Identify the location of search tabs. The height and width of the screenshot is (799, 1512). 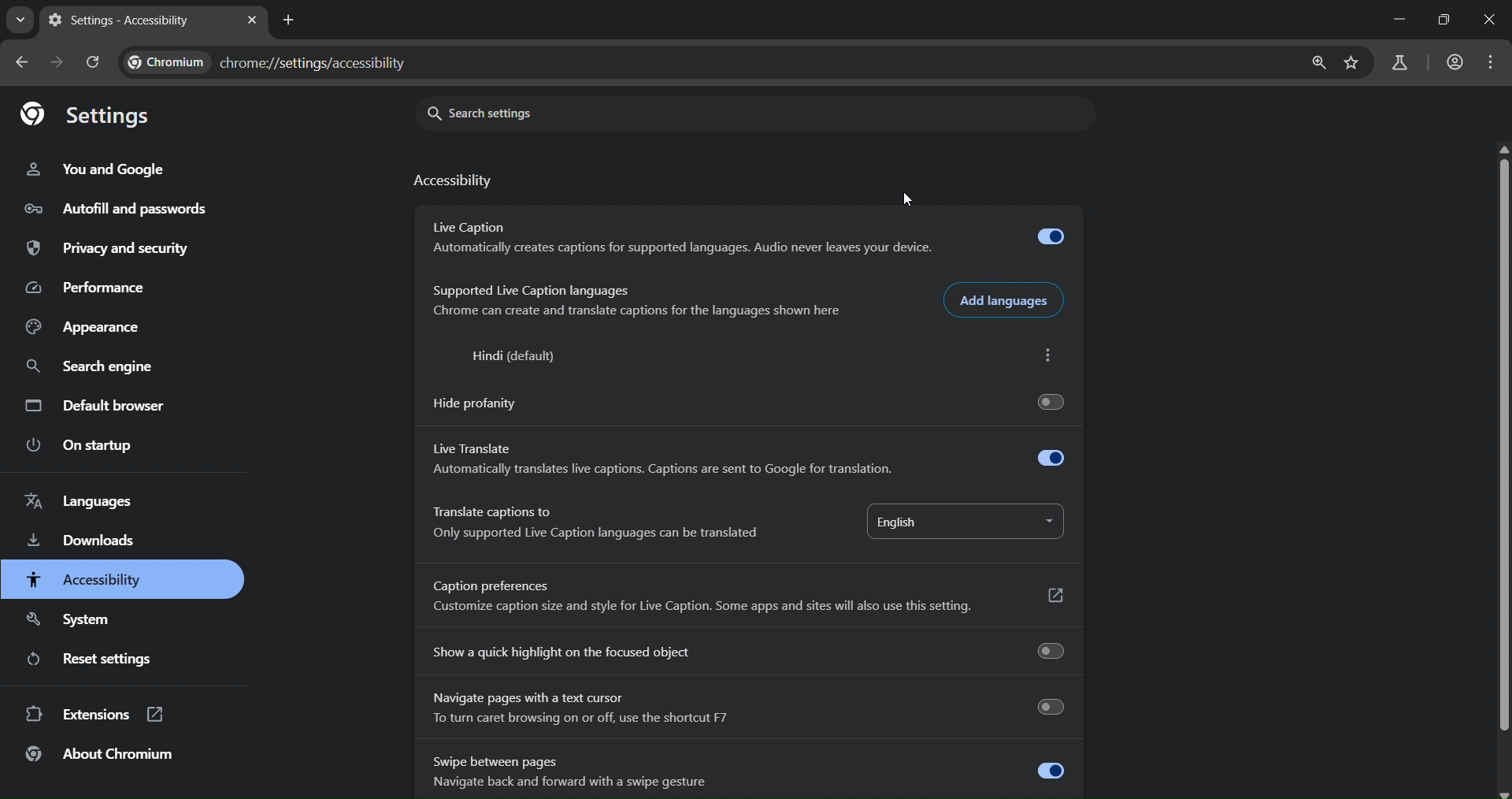
(17, 22).